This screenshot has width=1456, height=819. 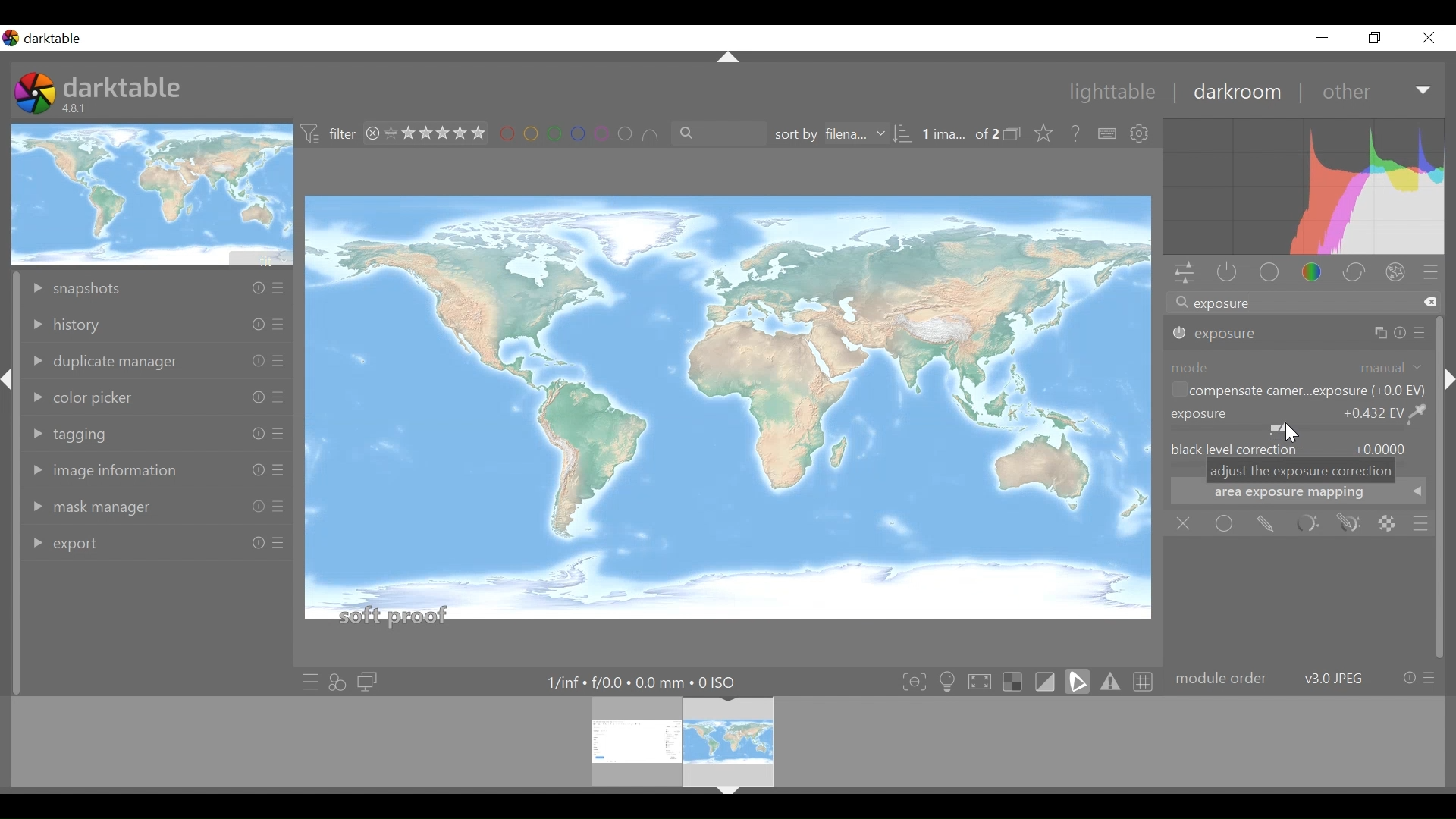 I want to click on , so click(x=276, y=507).